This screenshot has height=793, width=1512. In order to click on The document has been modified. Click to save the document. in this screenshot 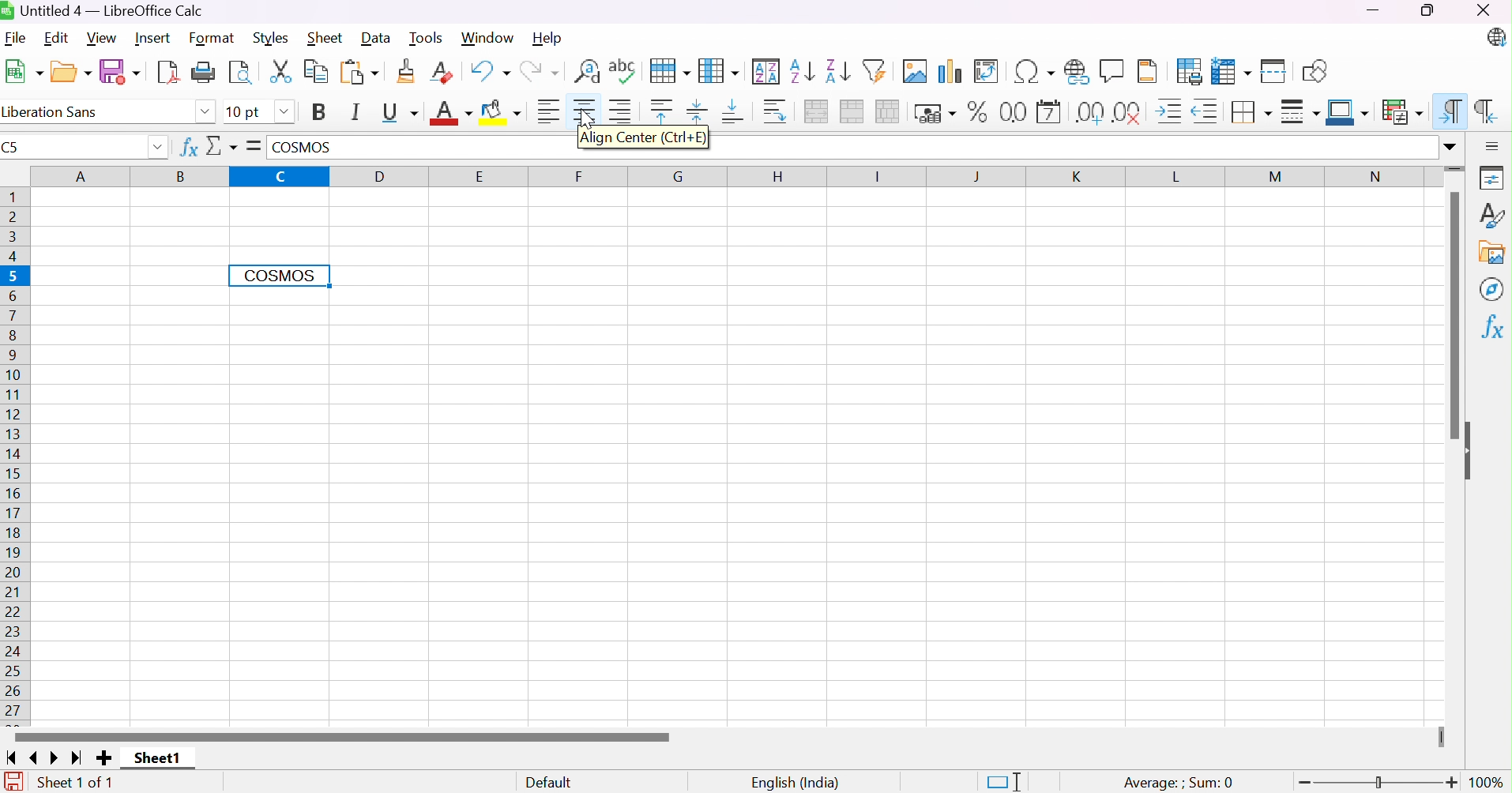, I will do `click(13, 782)`.